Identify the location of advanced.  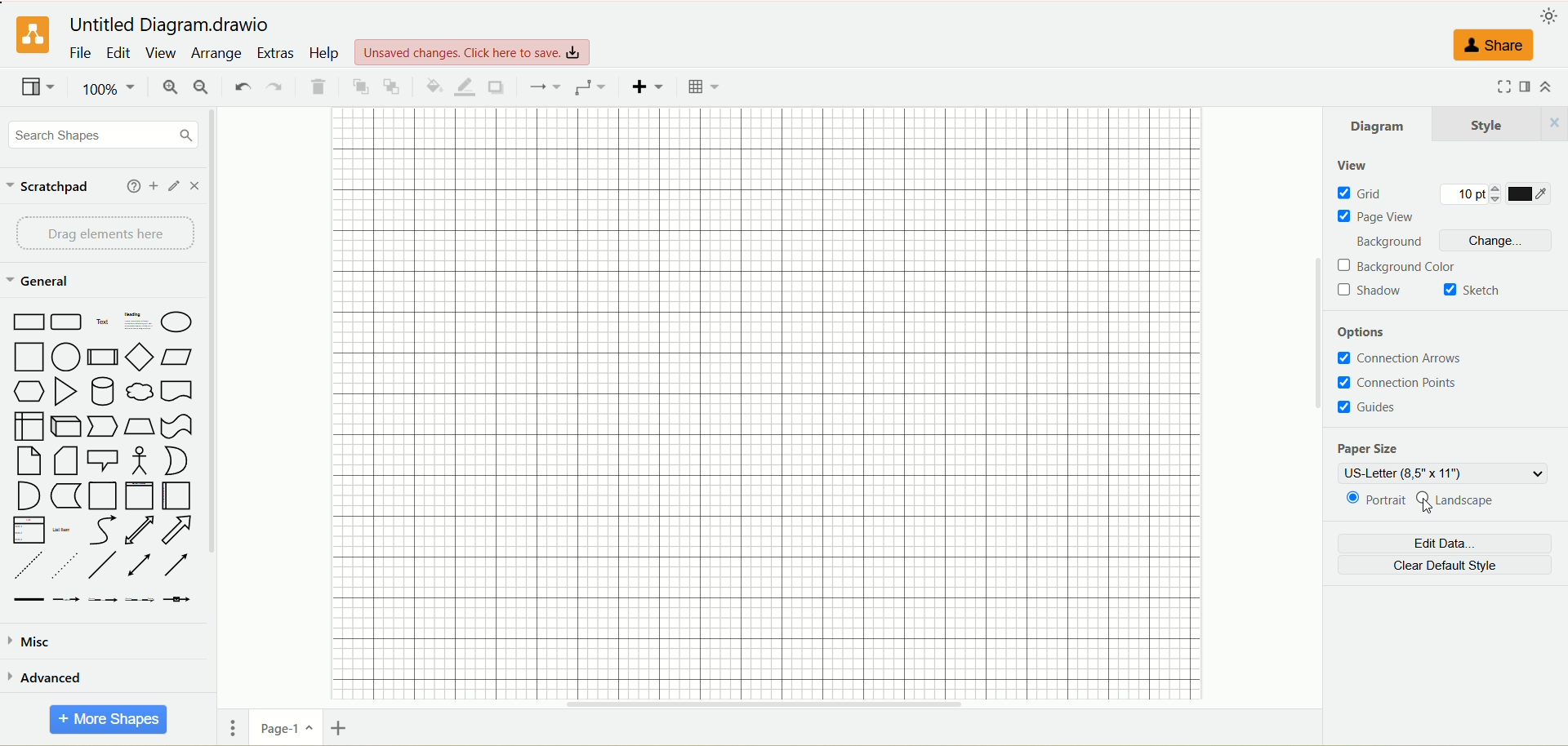
(50, 677).